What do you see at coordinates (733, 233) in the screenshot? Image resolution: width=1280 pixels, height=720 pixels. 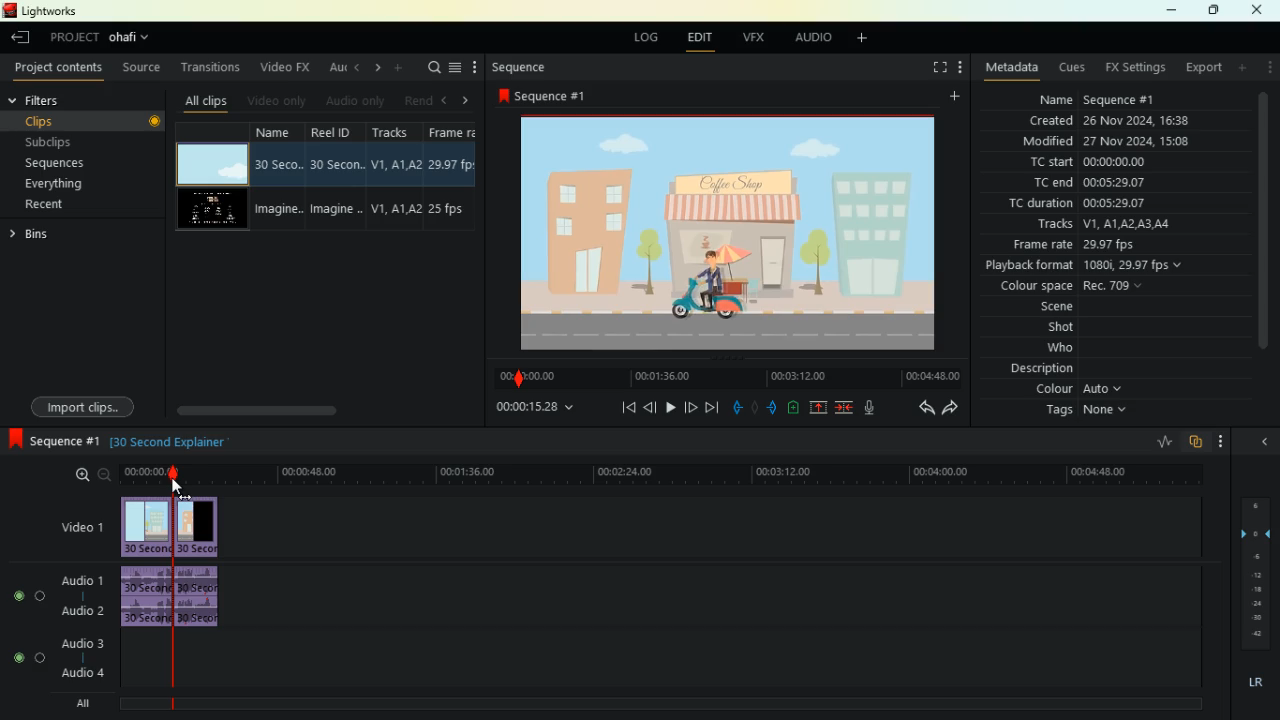 I see `image` at bounding box center [733, 233].